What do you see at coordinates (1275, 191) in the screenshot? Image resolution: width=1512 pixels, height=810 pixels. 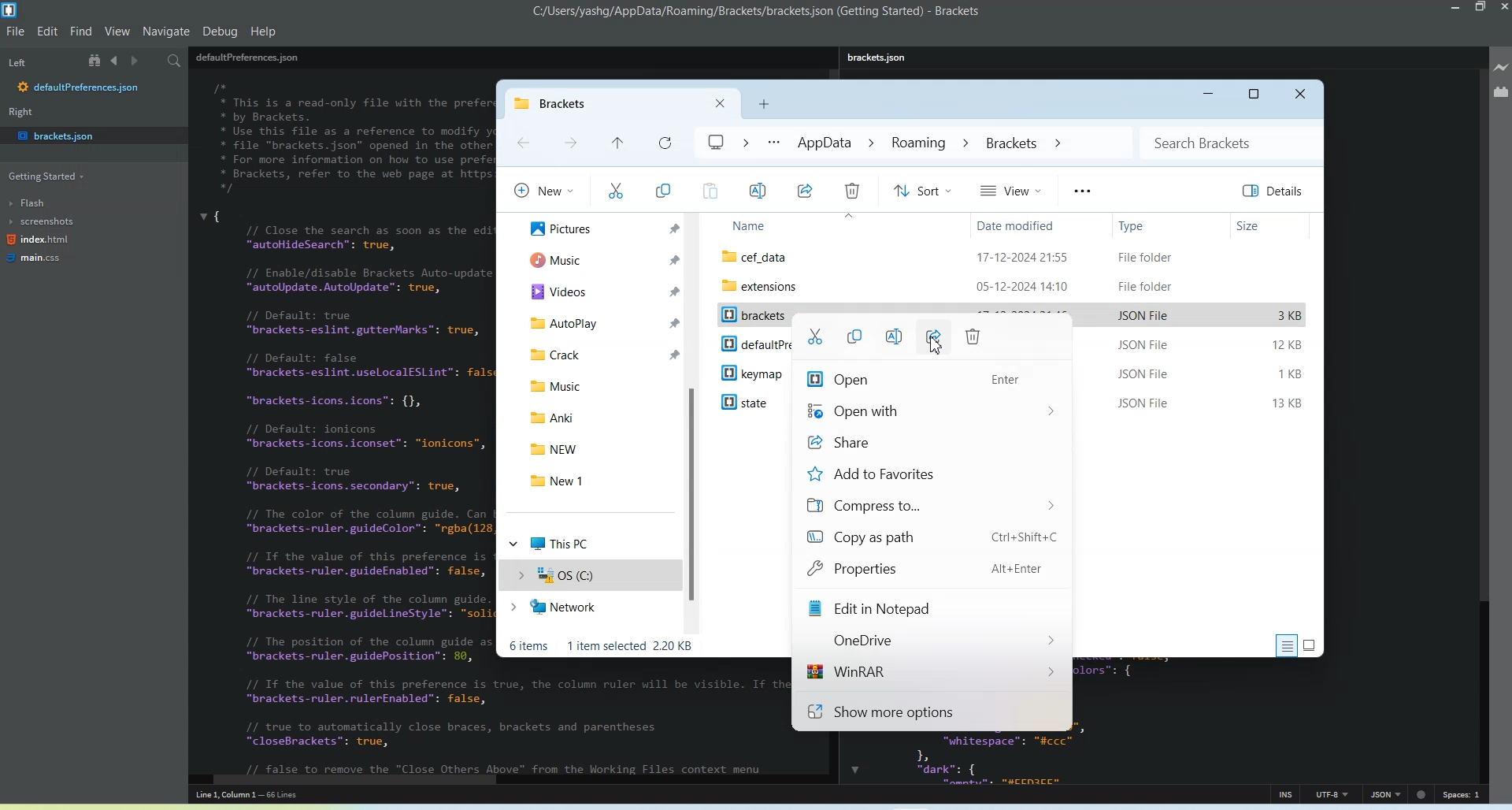 I see `Details` at bounding box center [1275, 191].